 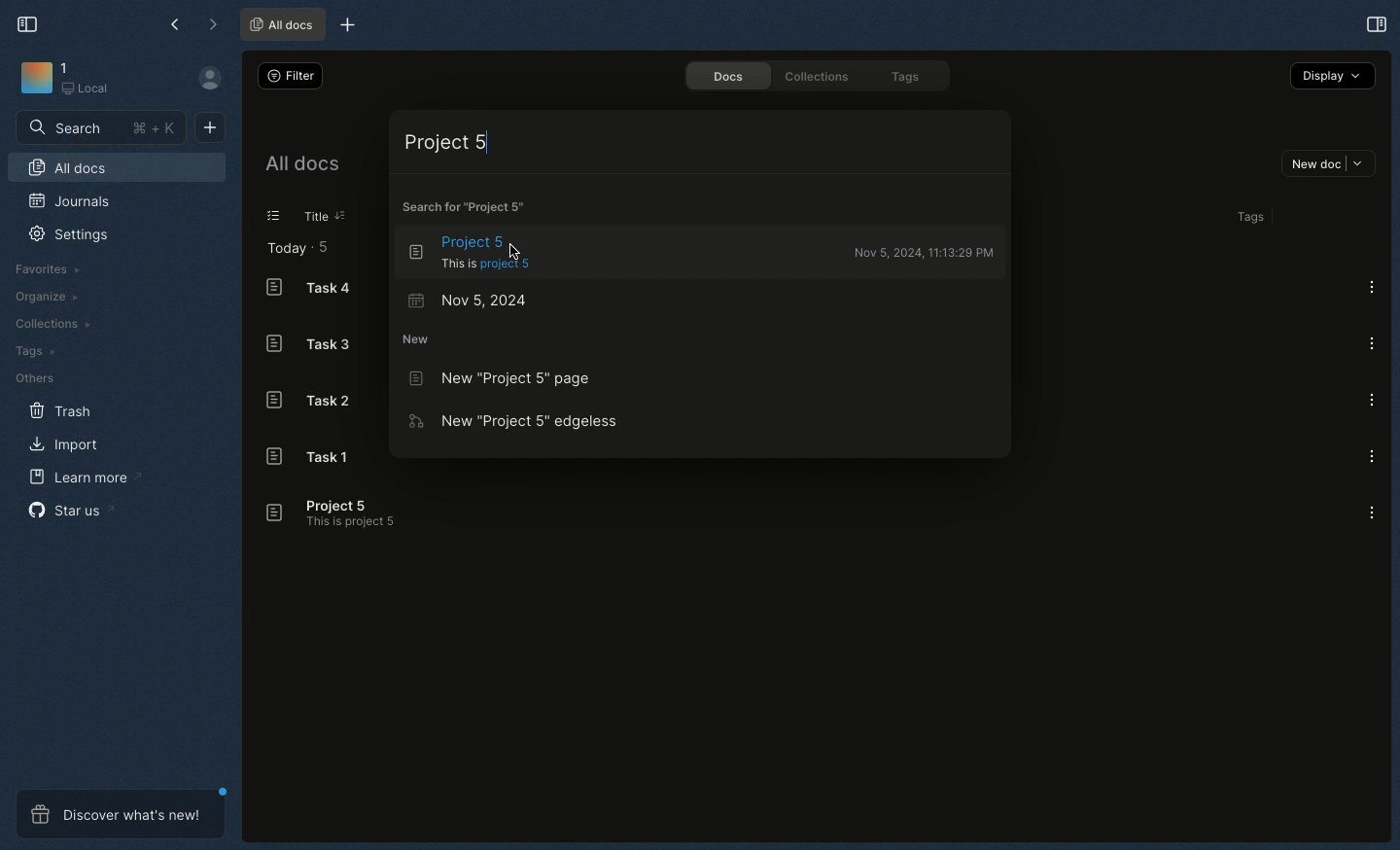 What do you see at coordinates (171, 26) in the screenshot?
I see `Back` at bounding box center [171, 26].